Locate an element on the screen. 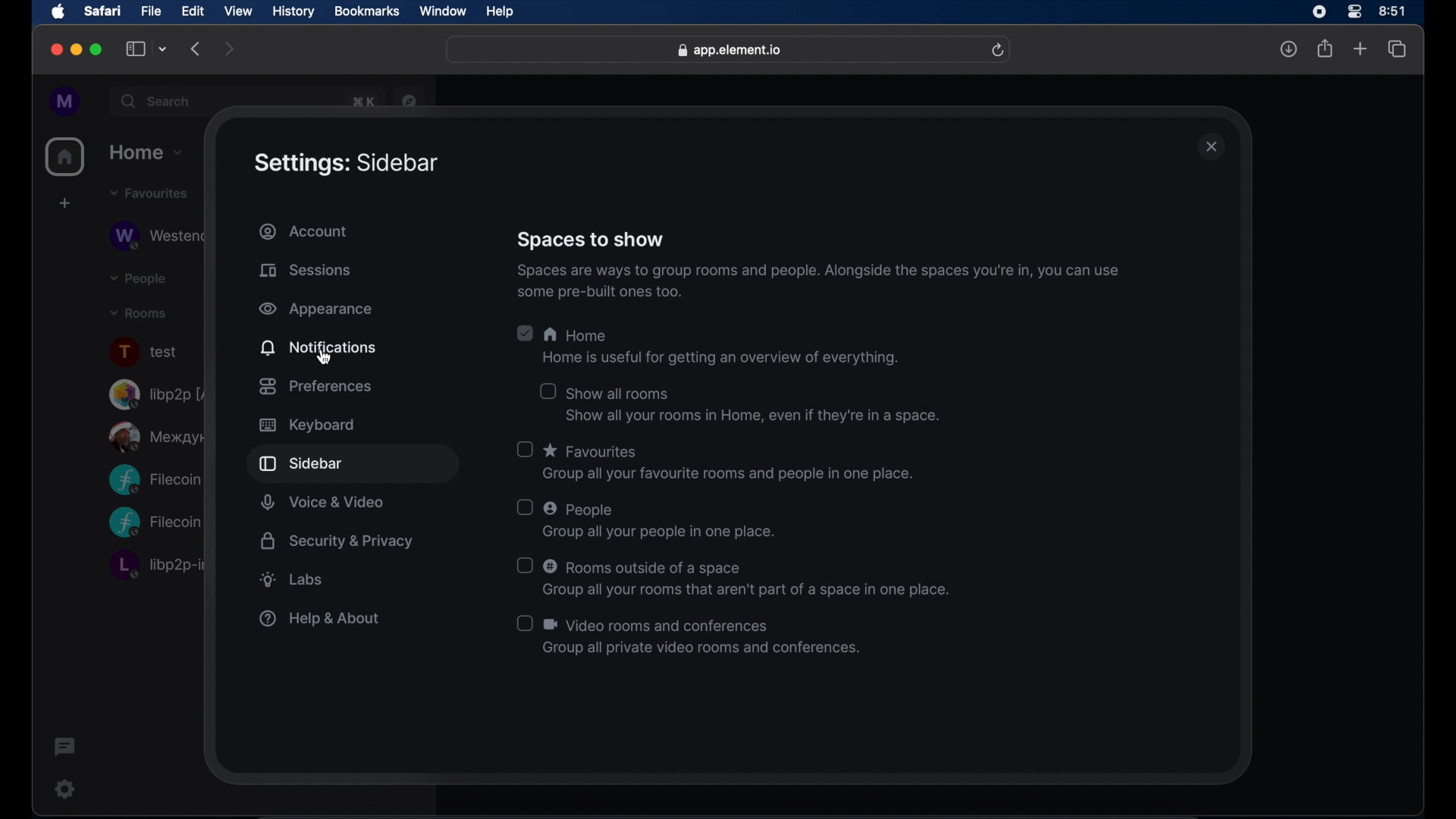 This screenshot has width=1456, height=819. favorites drop down is located at coordinates (147, 194).